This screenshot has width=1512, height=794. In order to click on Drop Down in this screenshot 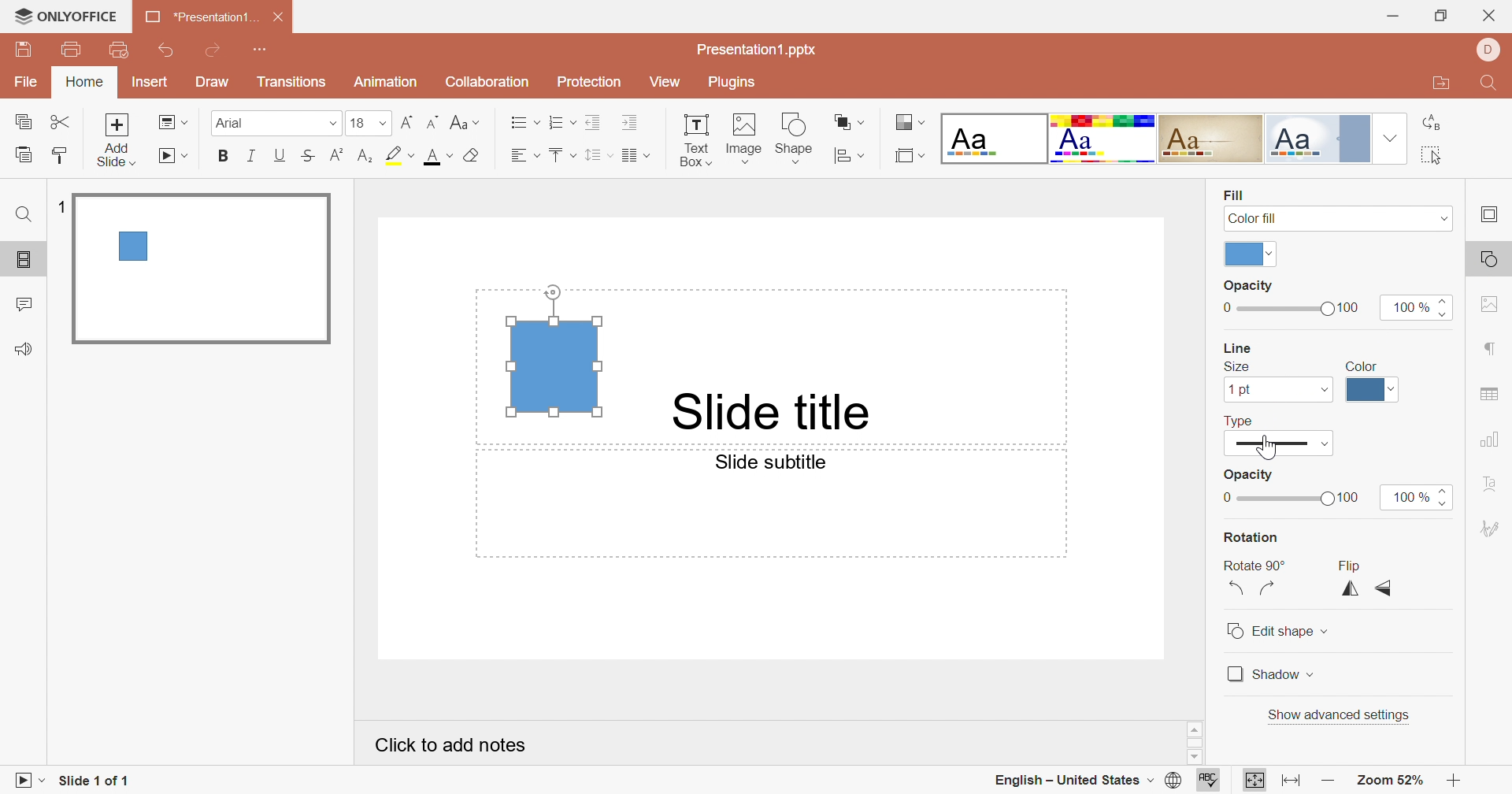, I will do `click(1392, 140)`.